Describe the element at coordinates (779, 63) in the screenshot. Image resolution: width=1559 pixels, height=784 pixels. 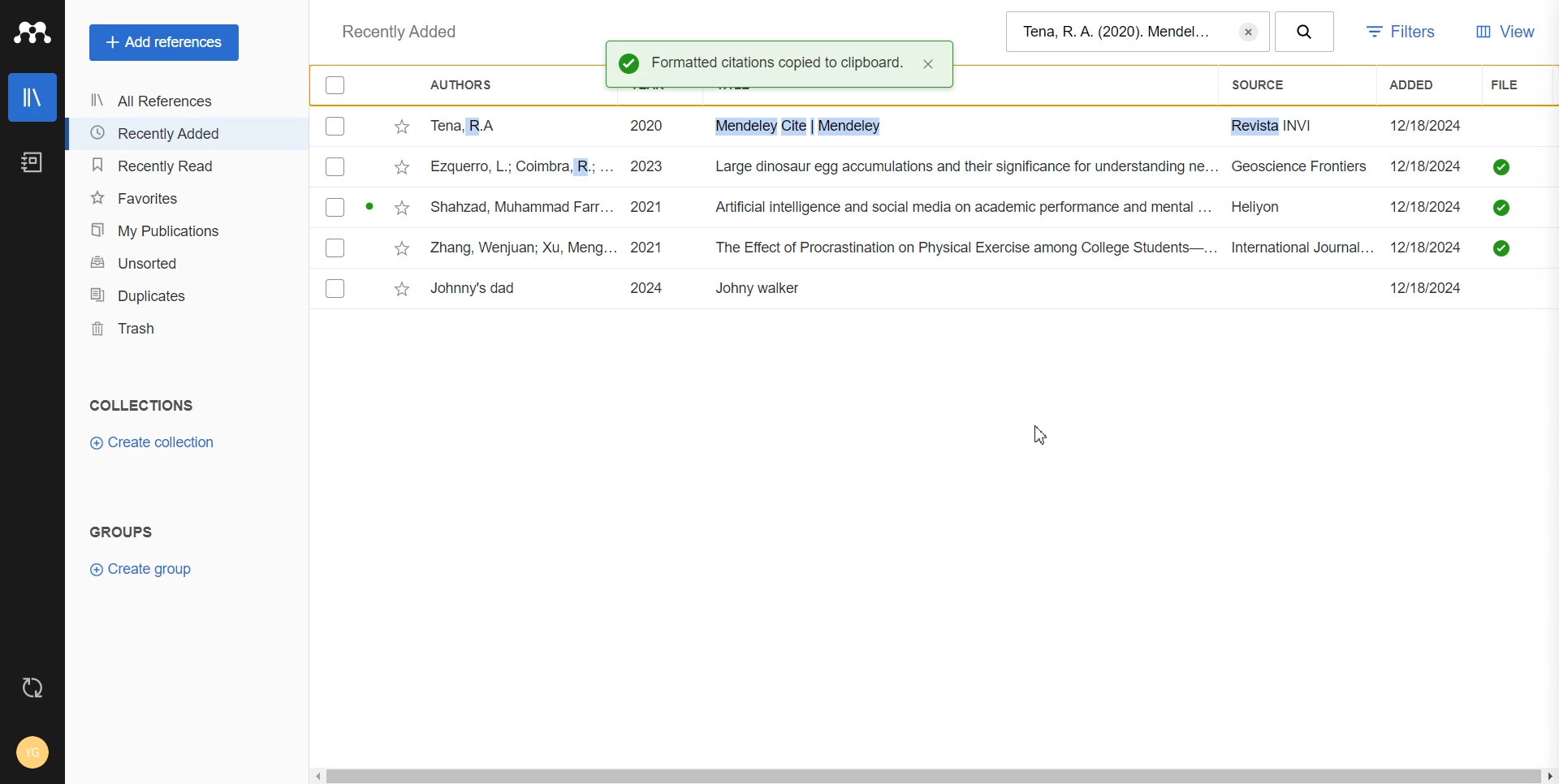
I see `Formatted citations copied to clipboard.` at that location.